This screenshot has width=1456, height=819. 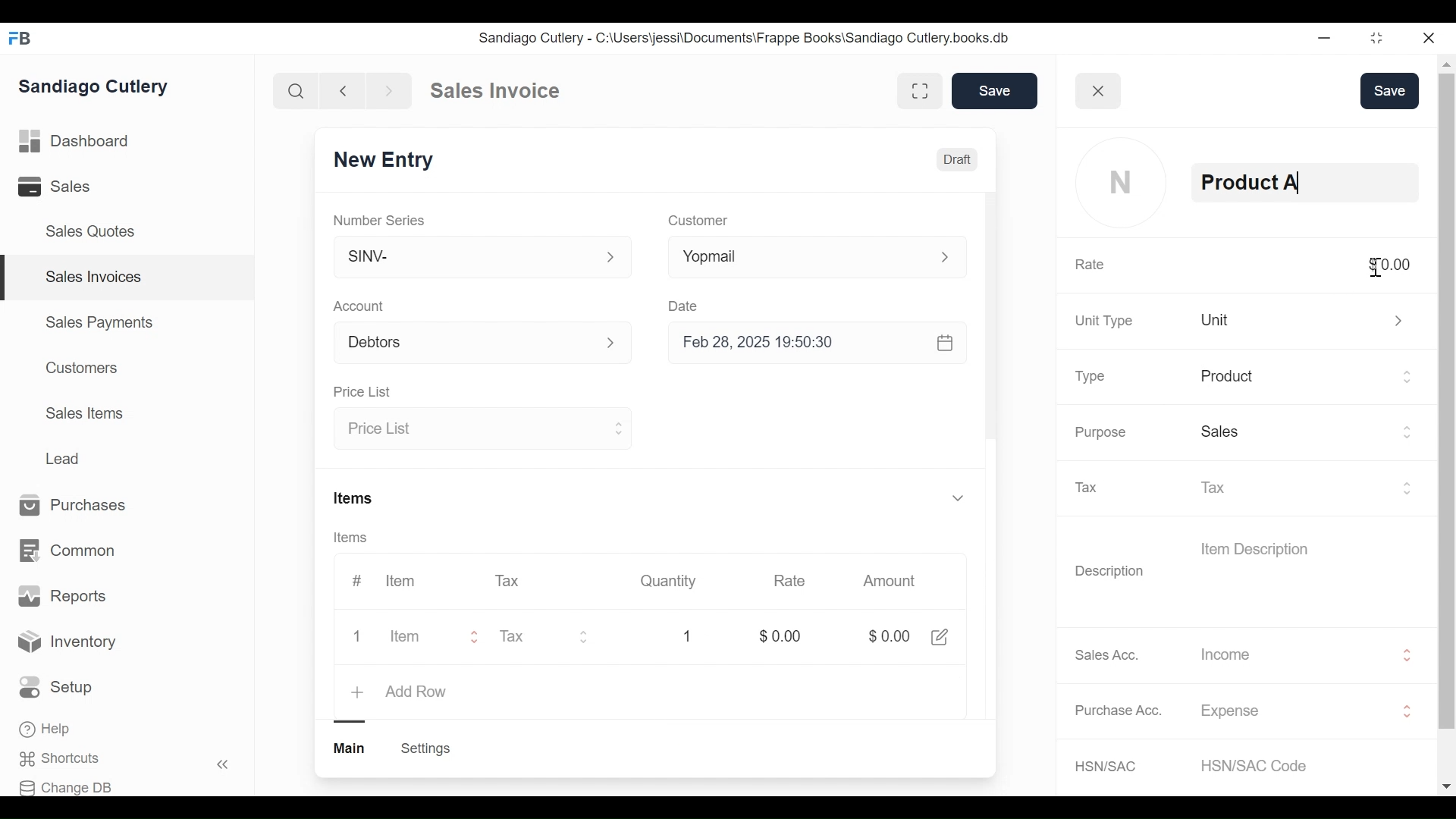 What do you see at coordinates (67, 644) in the screenshot?
I see `Inventory` at bounding box center [67, 644].